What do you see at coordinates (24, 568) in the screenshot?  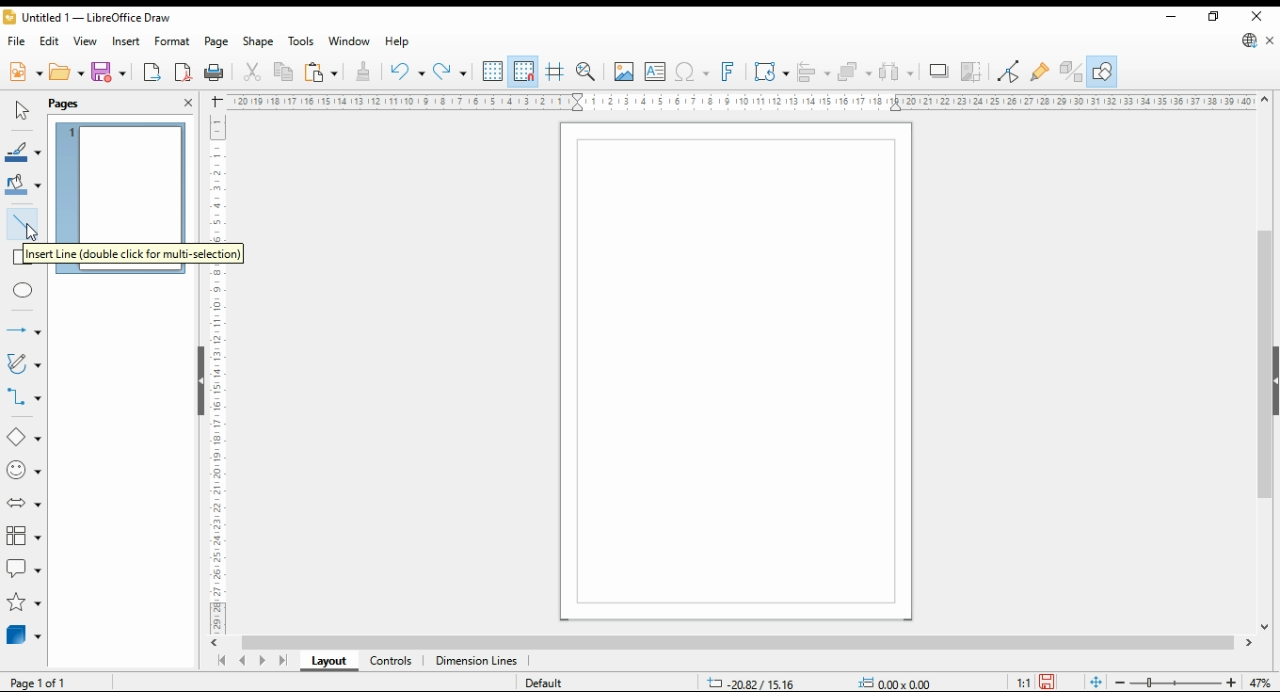 I see `callout shapes` at bounding box center [24, 568].